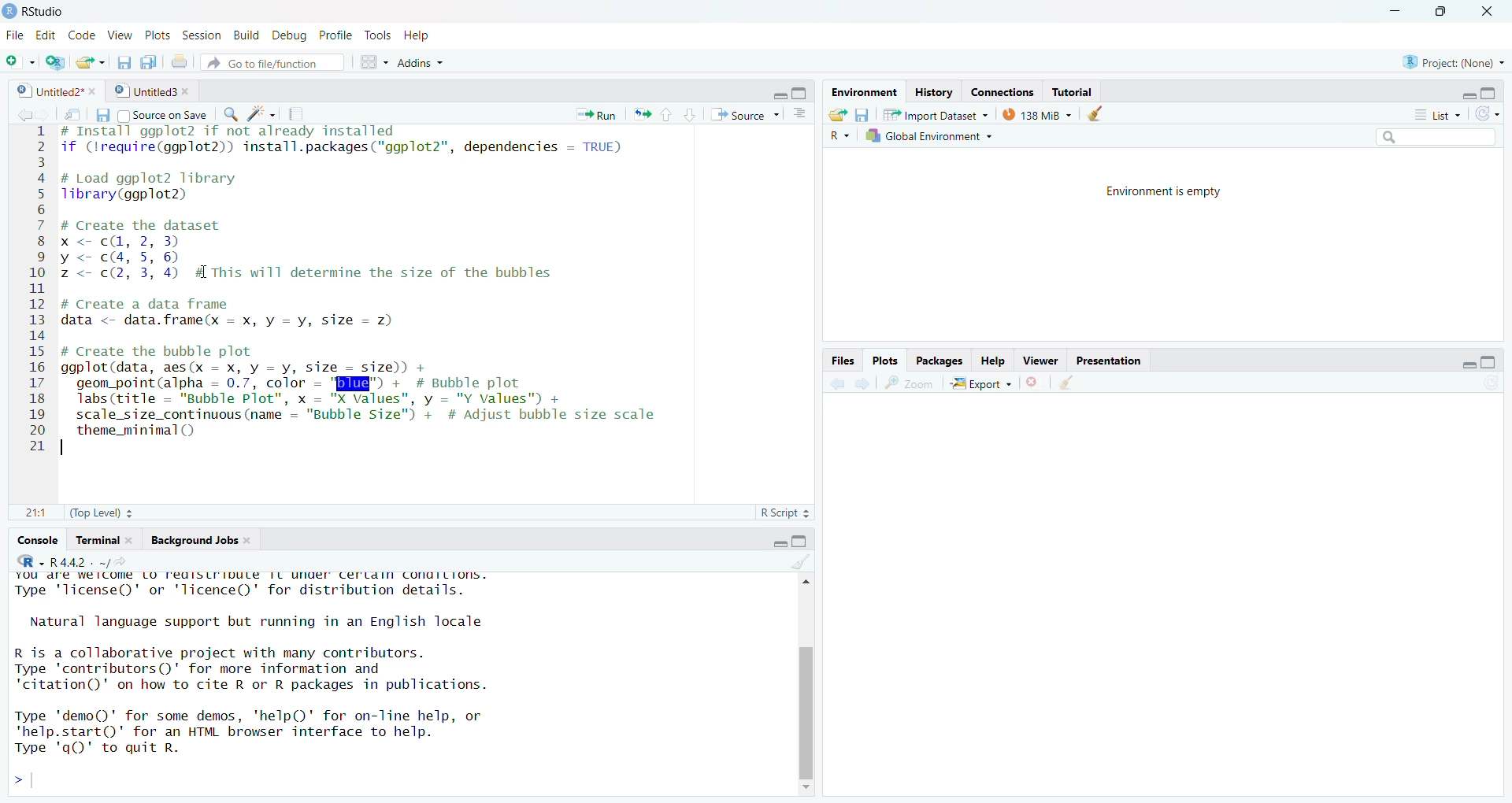  I want to click on clear console, so click(791, 562).